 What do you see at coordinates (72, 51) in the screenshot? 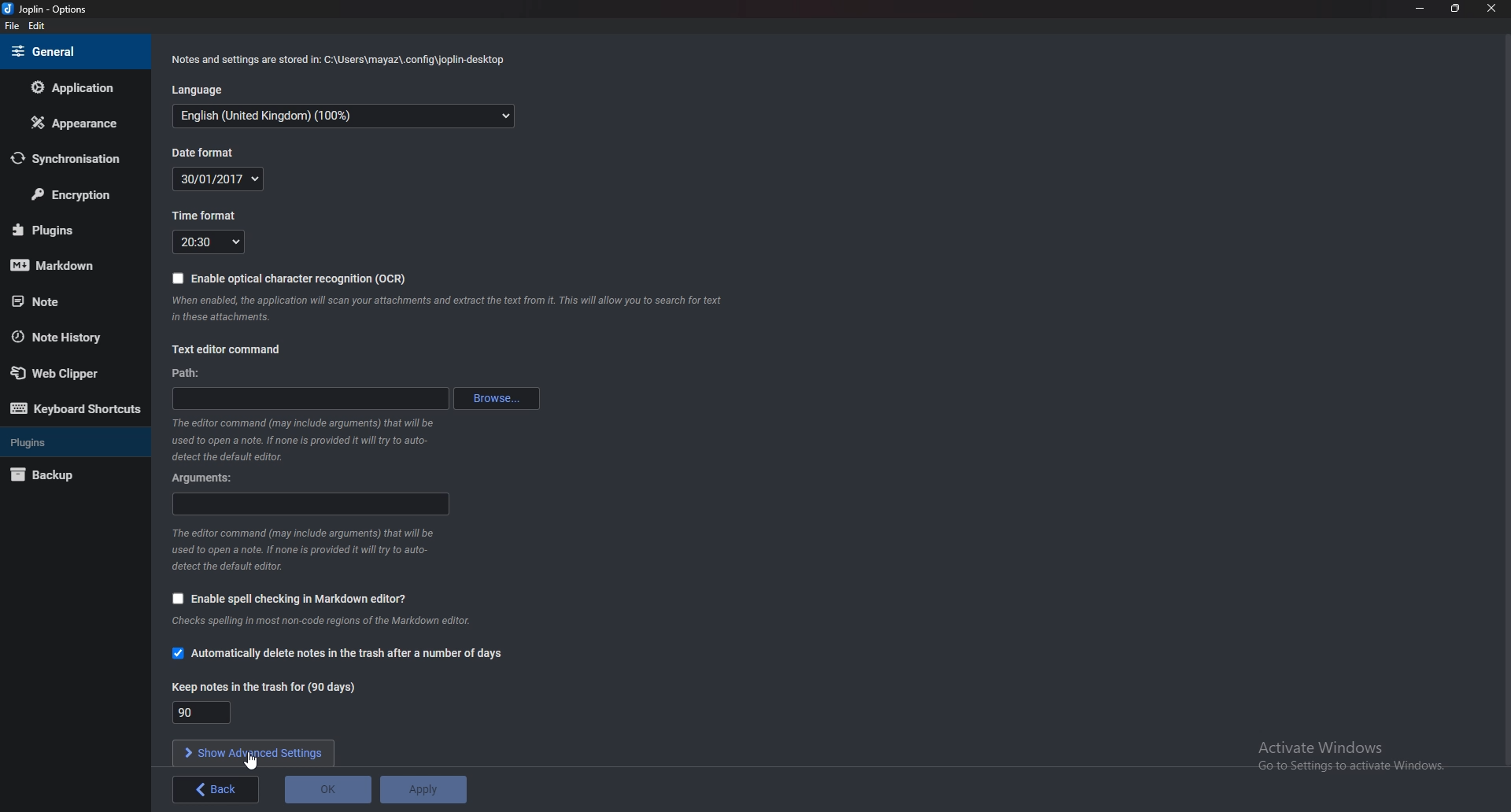
I see `general` at bounding box center [72, 51].